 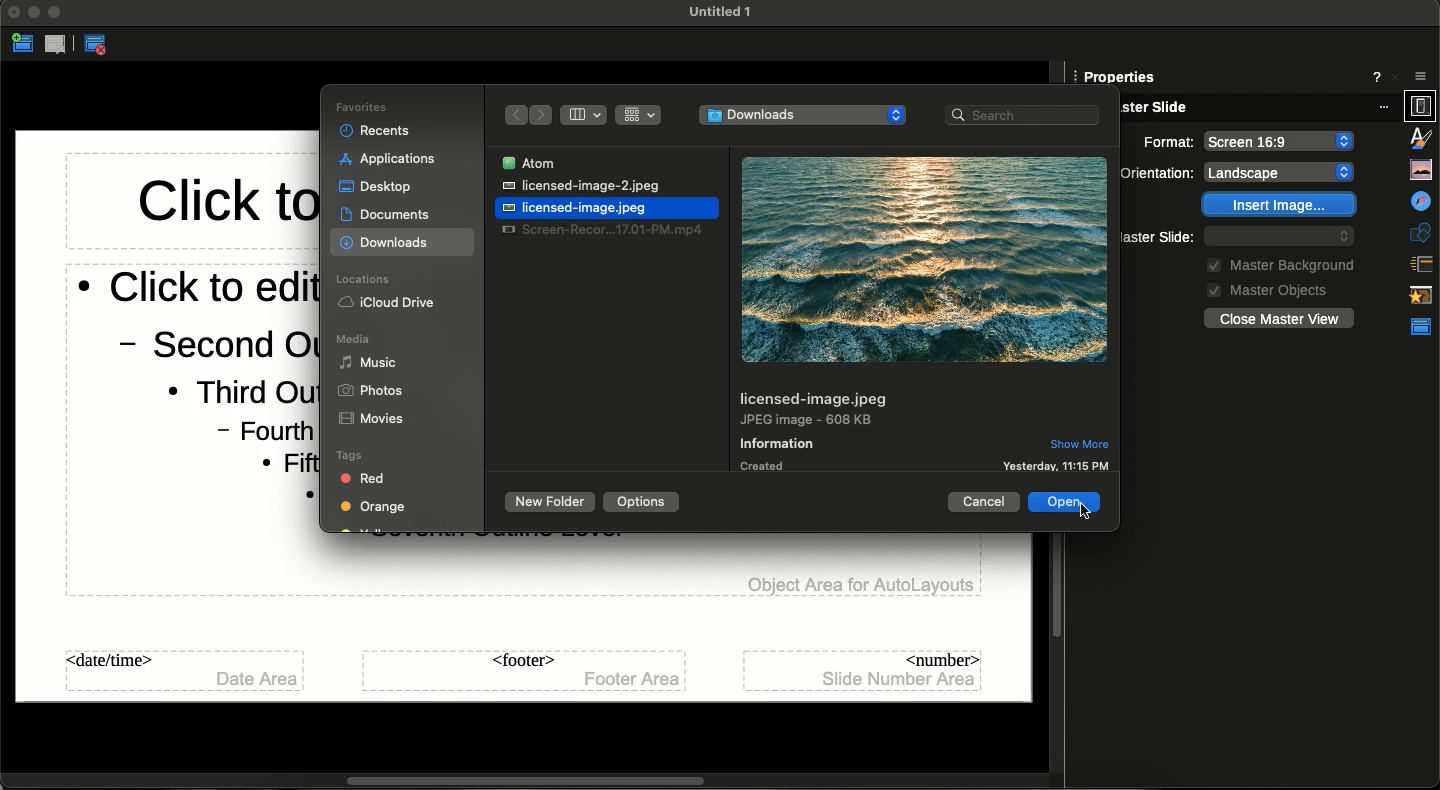 I want to click on Movies, so click(x=364, y=418).